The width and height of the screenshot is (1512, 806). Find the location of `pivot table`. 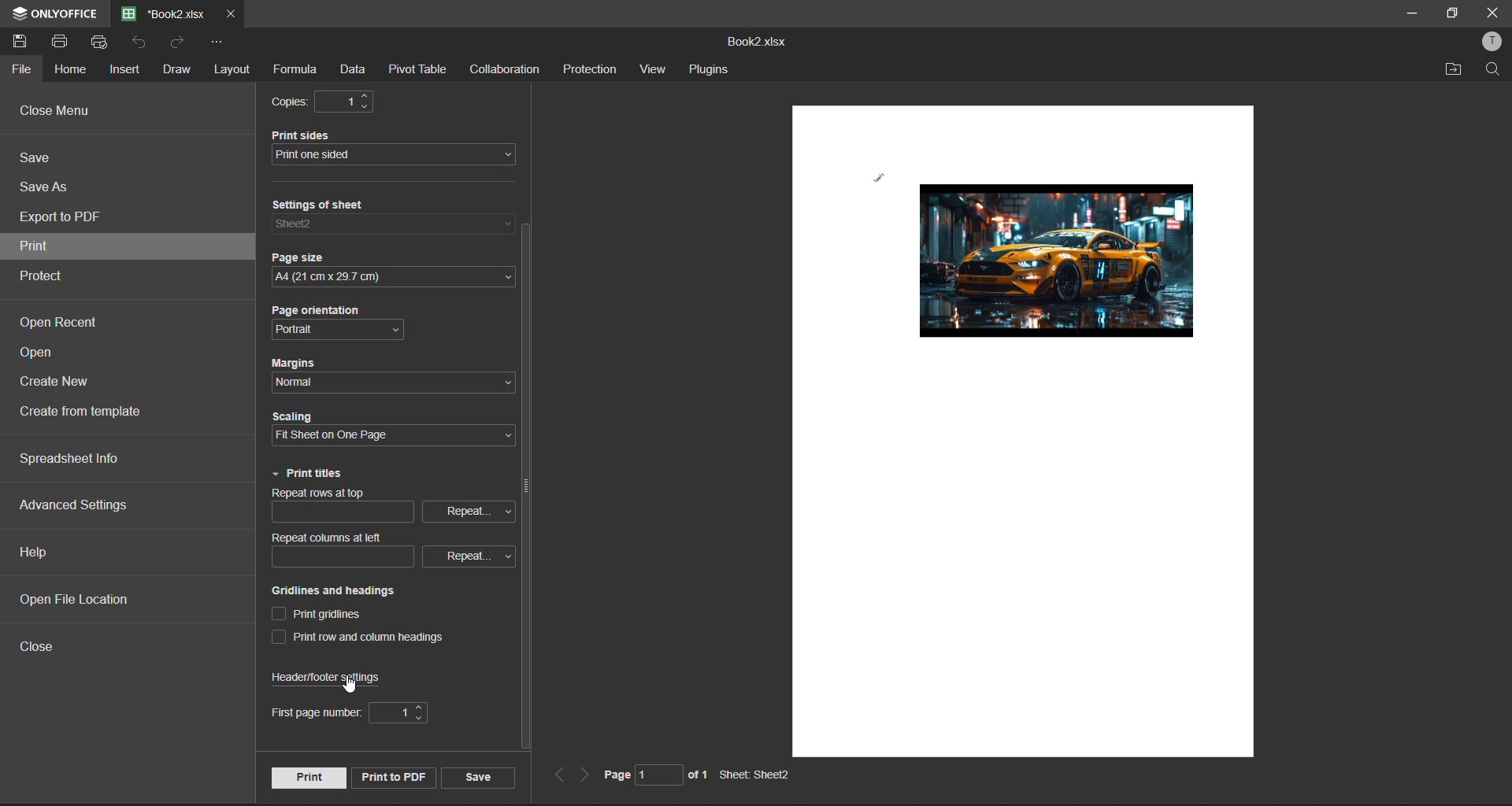

pivot table is located at coordinates (419, 72).